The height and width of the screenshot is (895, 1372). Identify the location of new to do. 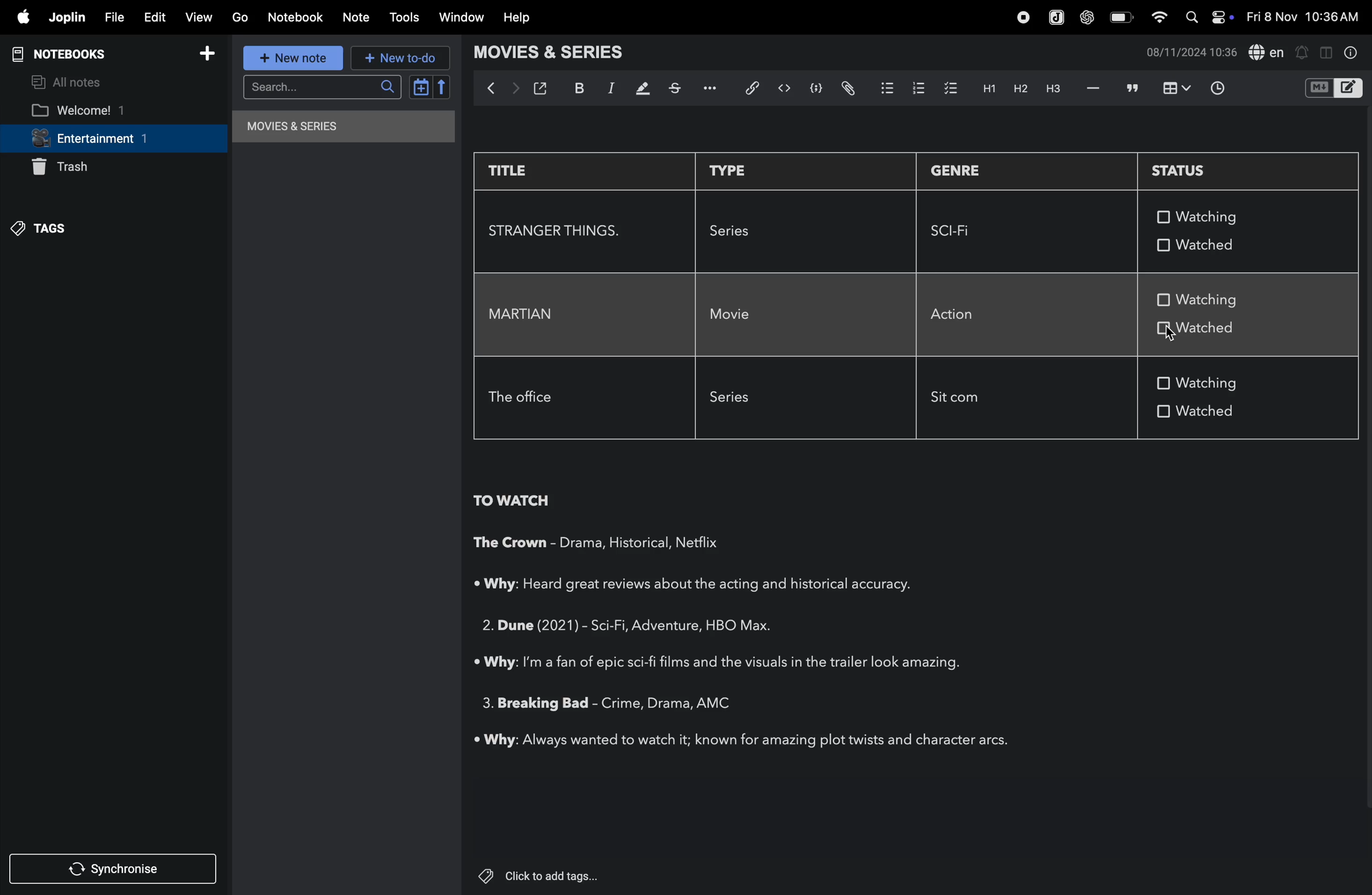
(399, 58).